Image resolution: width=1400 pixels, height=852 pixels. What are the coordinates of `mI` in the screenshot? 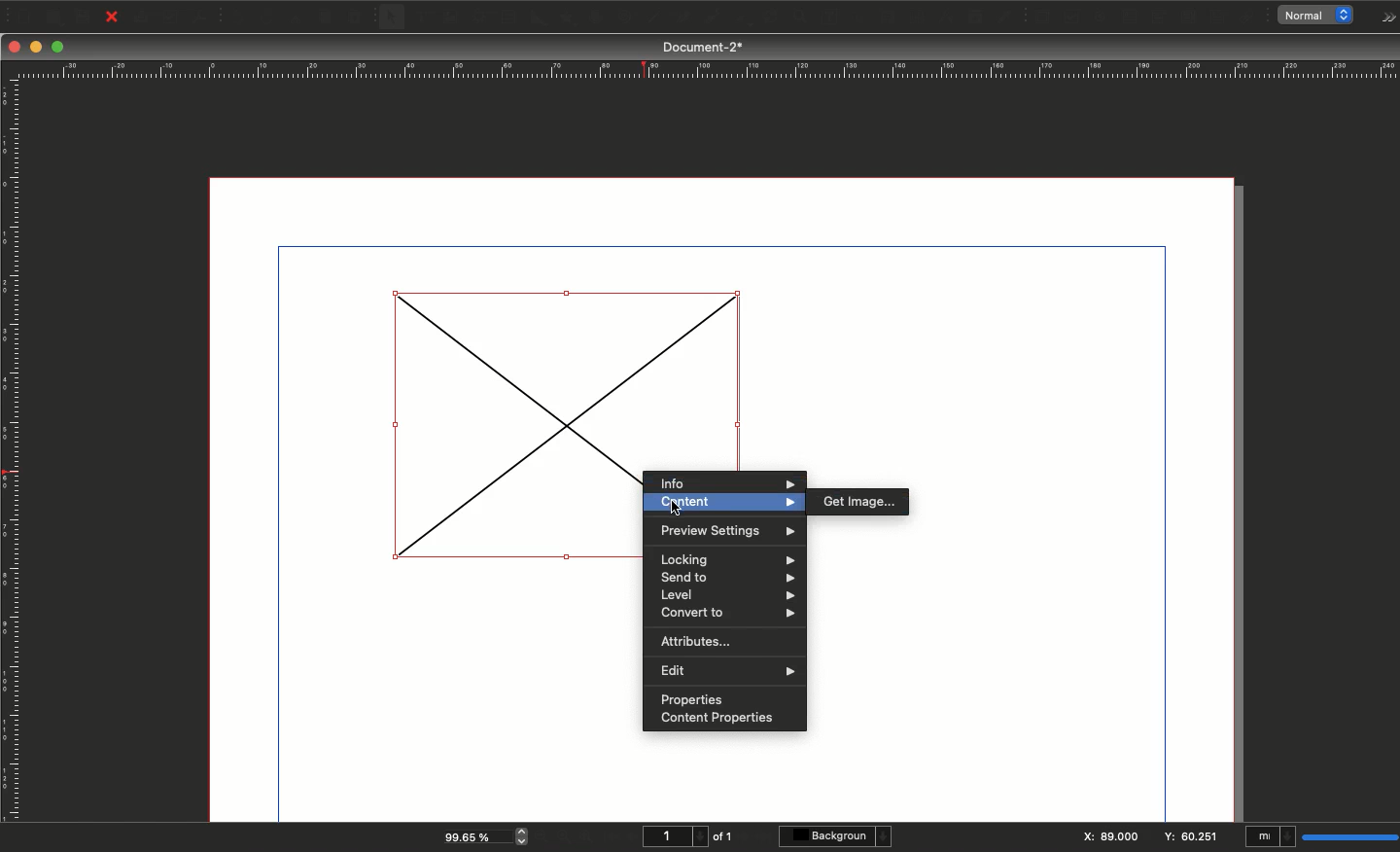 It's located at (1271, 838).